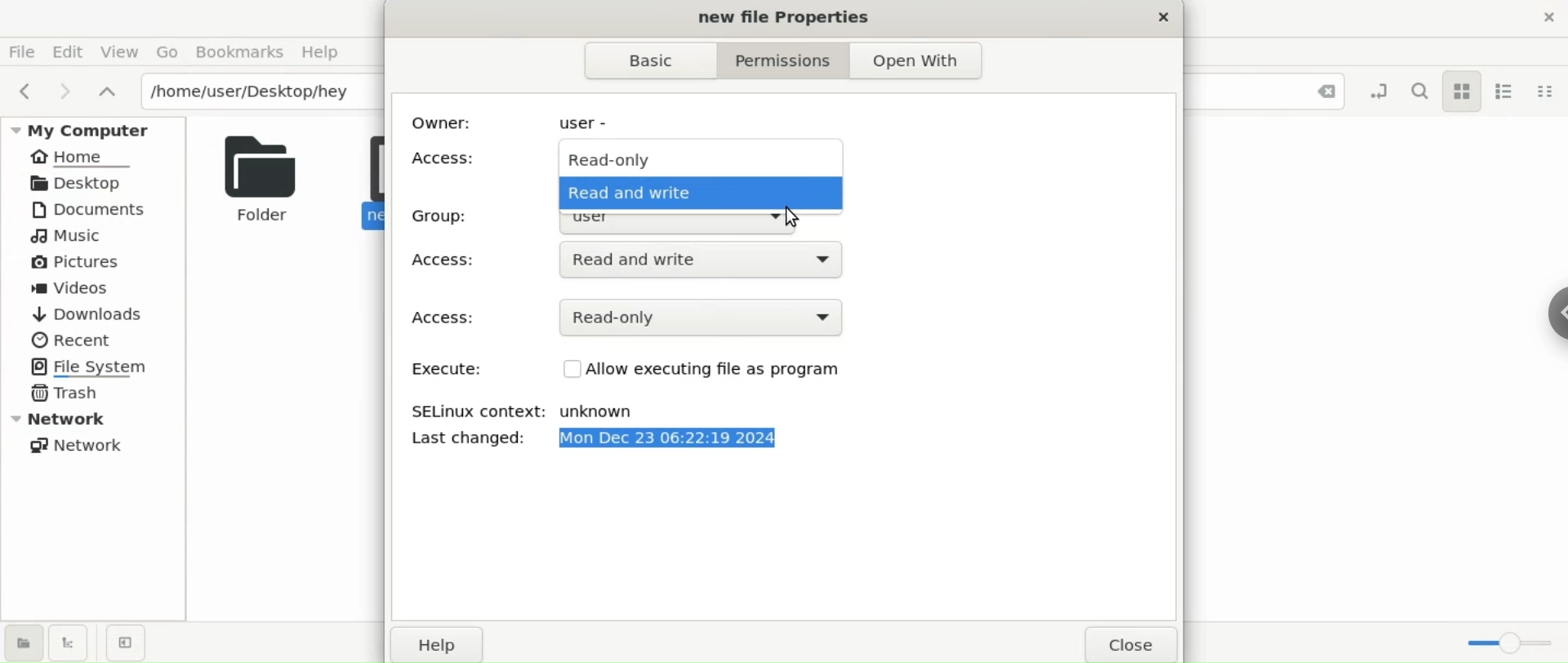 This screenshot has width=1568, height=663. I want to click on help, so click(440, 644).